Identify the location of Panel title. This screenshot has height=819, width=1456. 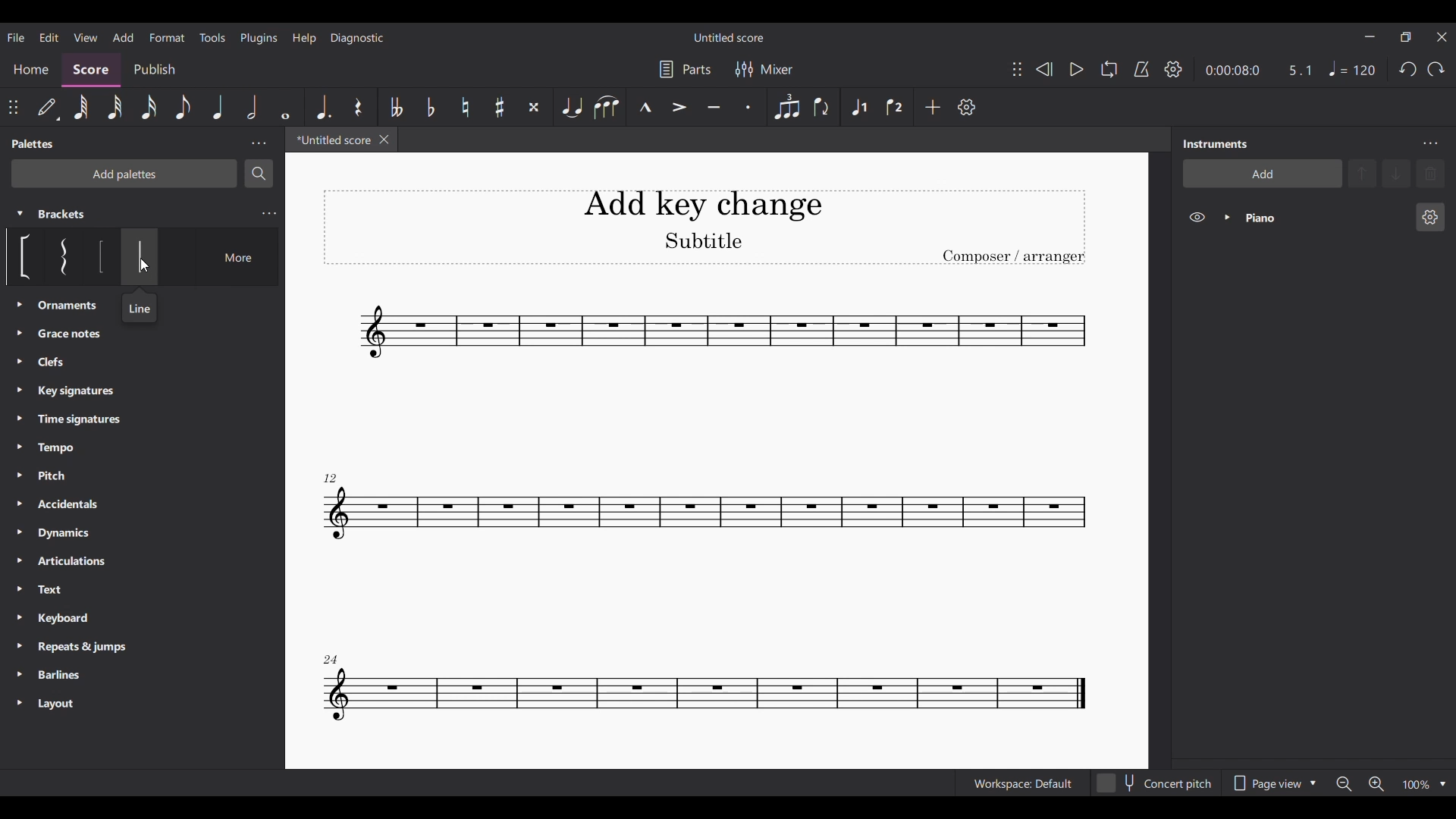
(1216, 143).